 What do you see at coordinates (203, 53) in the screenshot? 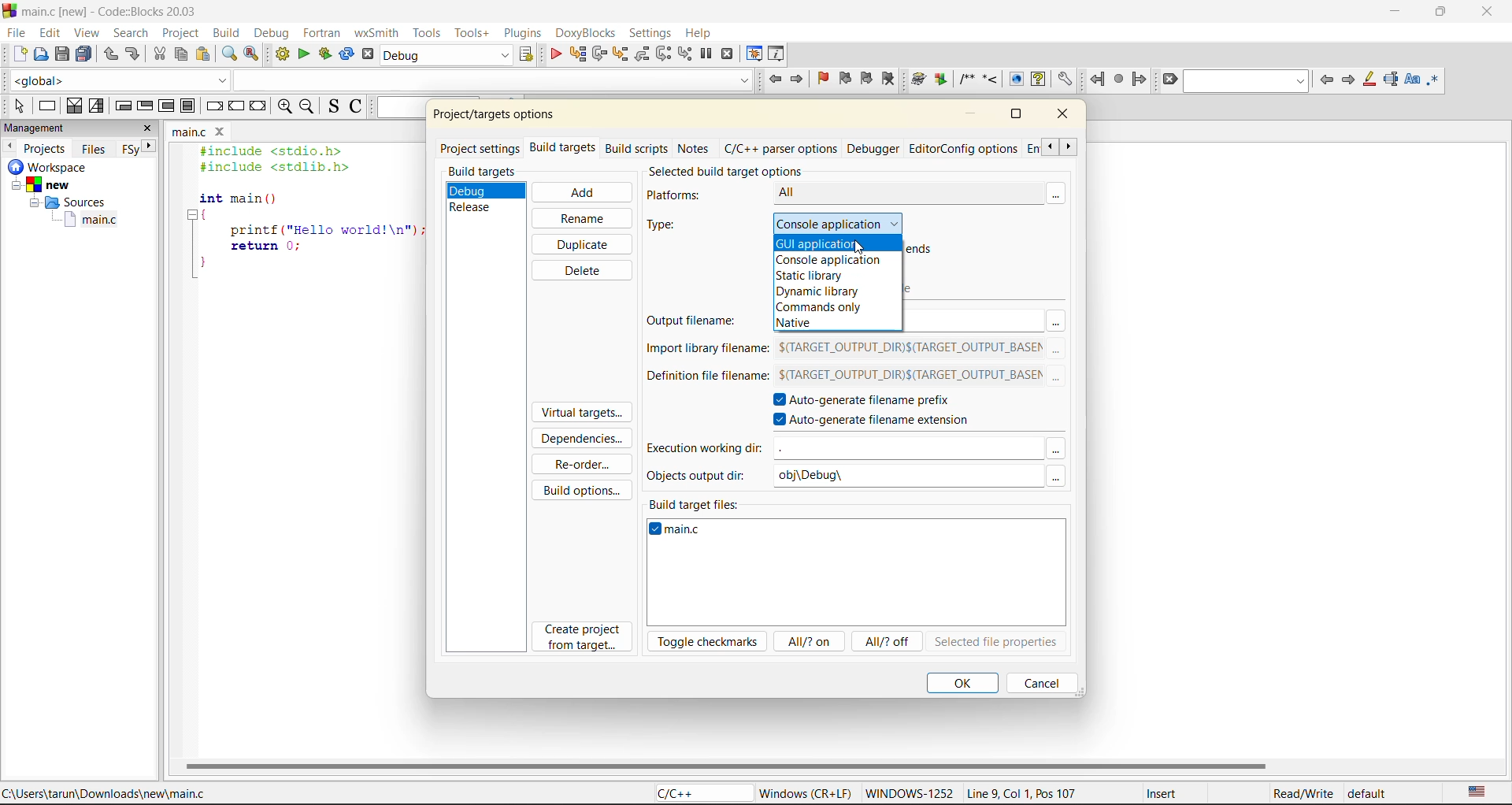
I see `paste` at bounding box center [203, 53].